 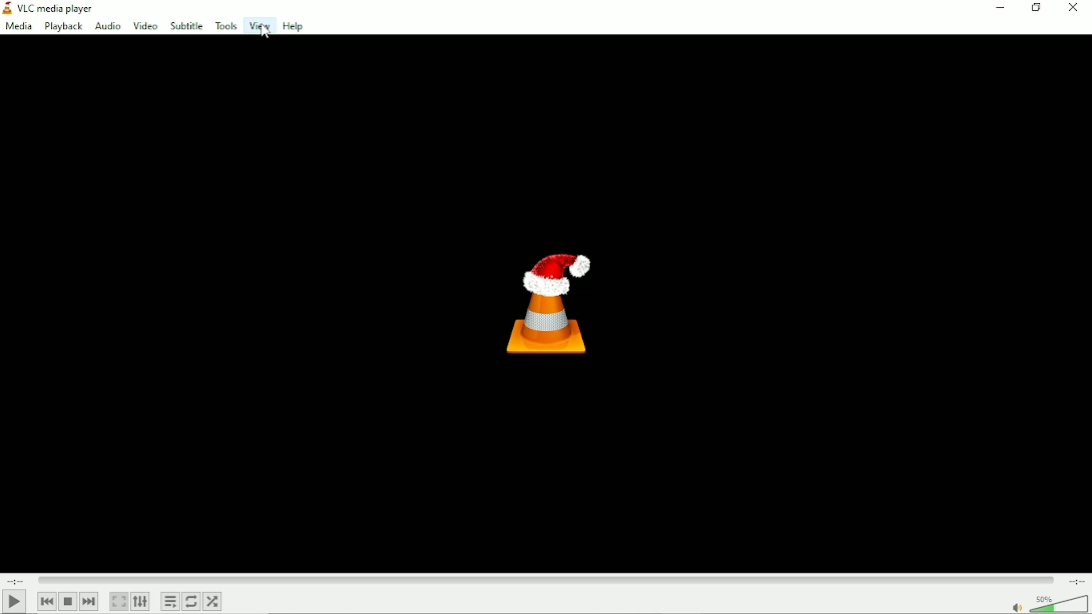 What do you see at coordinates (292, 27) in the screenshot?
I see `Help` at bounding box center [292, 27].